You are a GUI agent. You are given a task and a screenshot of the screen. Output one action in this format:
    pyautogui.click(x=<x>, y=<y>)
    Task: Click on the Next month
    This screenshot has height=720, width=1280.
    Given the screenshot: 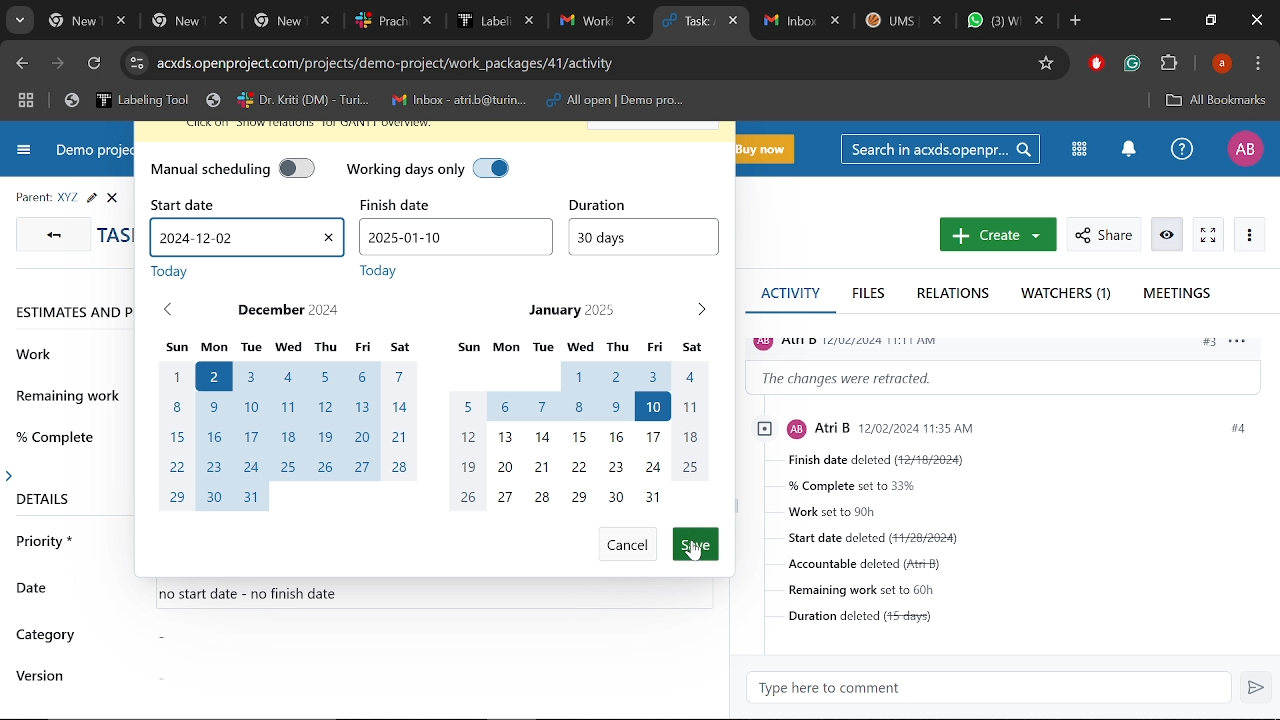 What is the action you would take?
    pyautogui.click(x=699, y=308)
    